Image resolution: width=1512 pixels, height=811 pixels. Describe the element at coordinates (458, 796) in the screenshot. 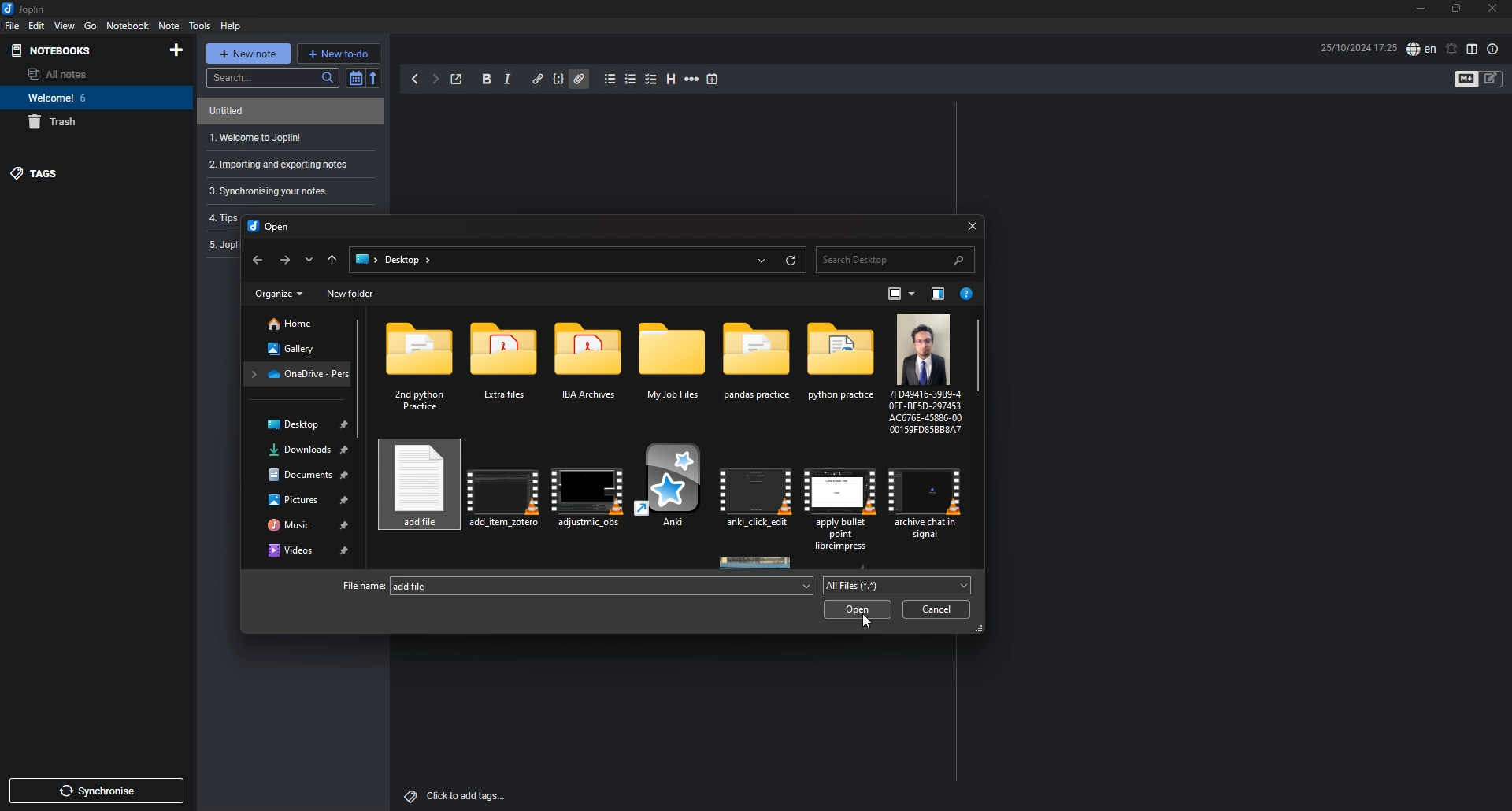

I see `click to add tags` at that location.